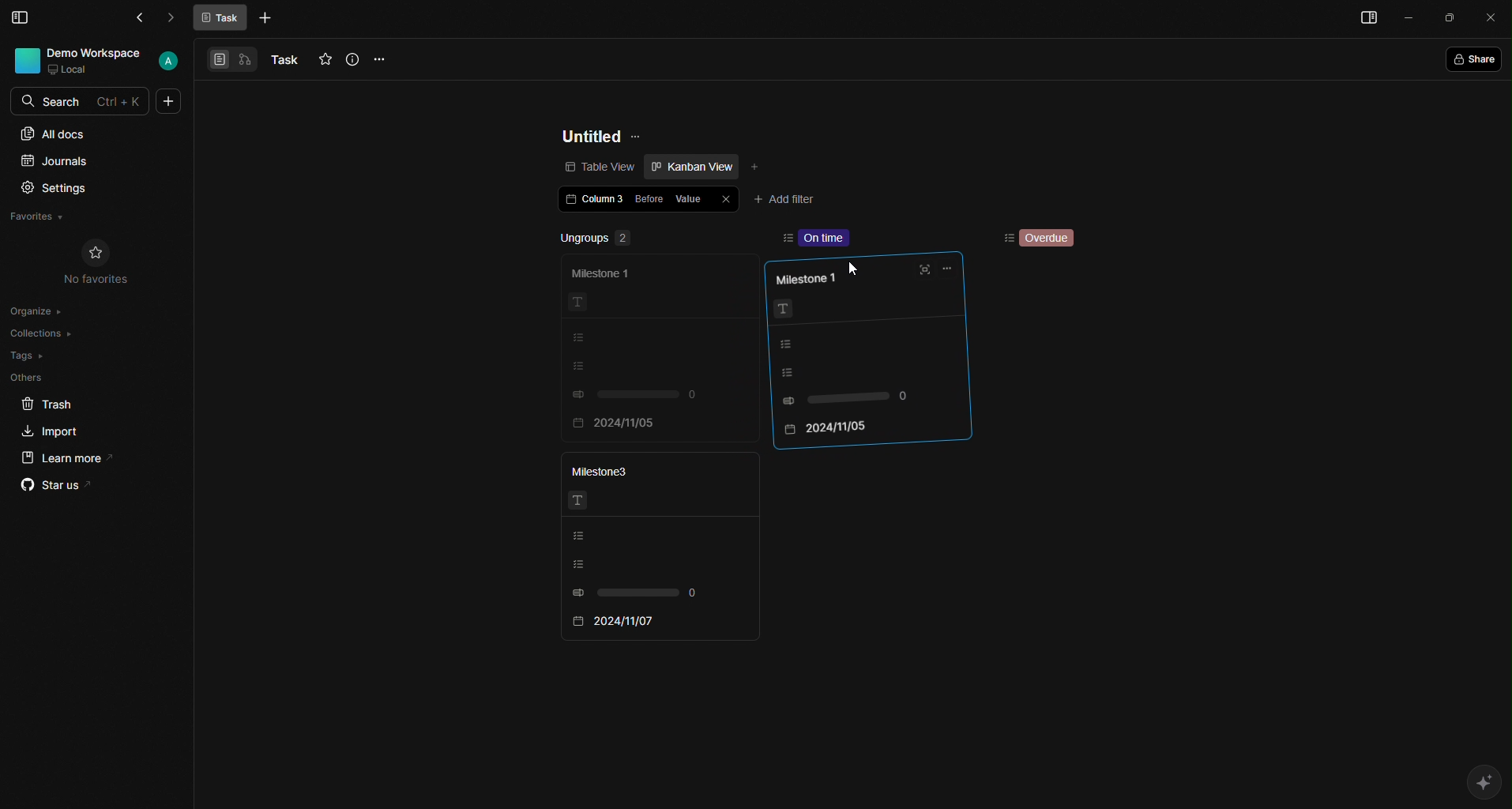 This screenshot has width=1512, height=809. I want to click on remove, so click(748, 237).